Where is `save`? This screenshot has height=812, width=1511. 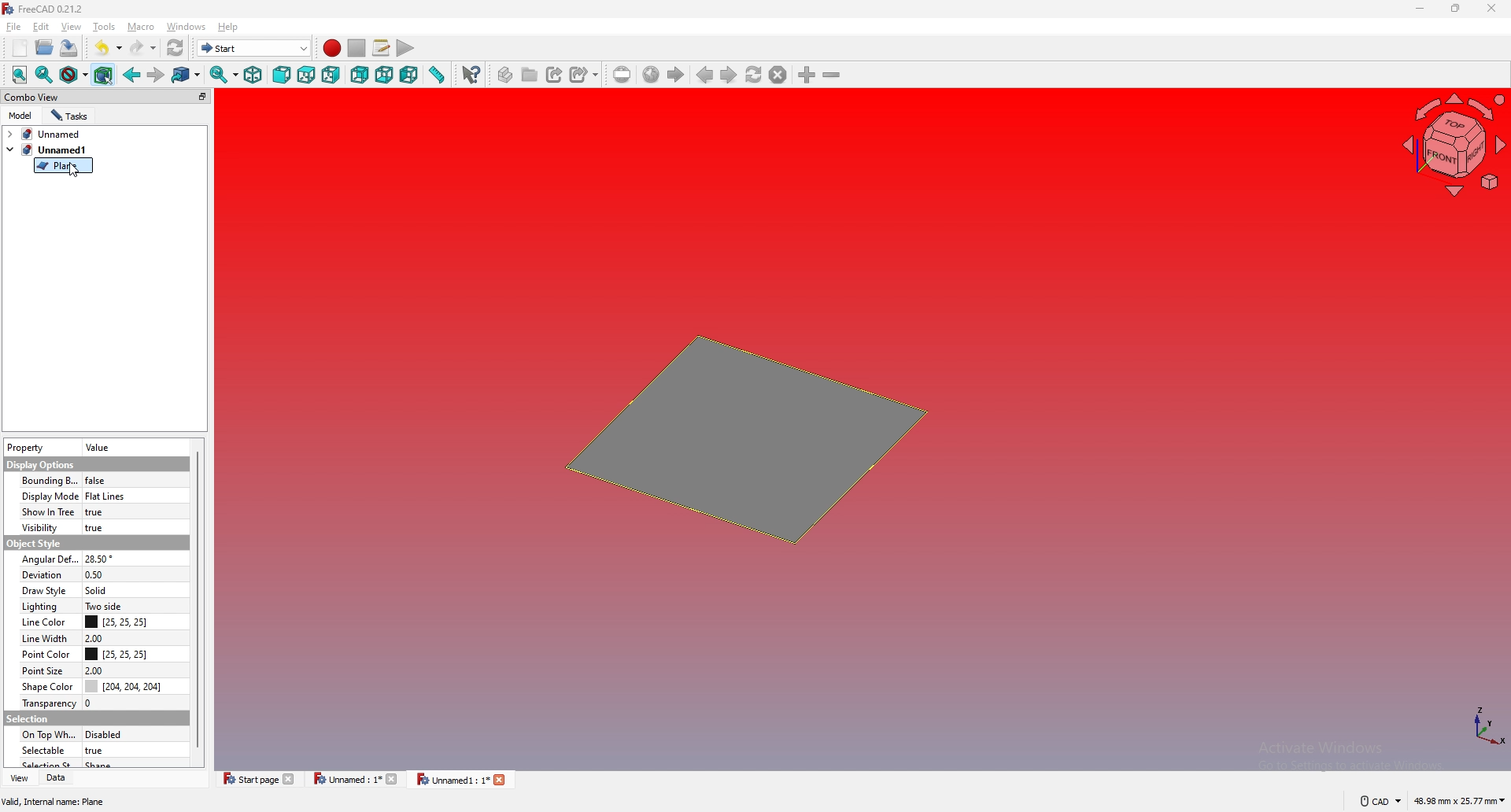 save is located at coordinates (68, 49).